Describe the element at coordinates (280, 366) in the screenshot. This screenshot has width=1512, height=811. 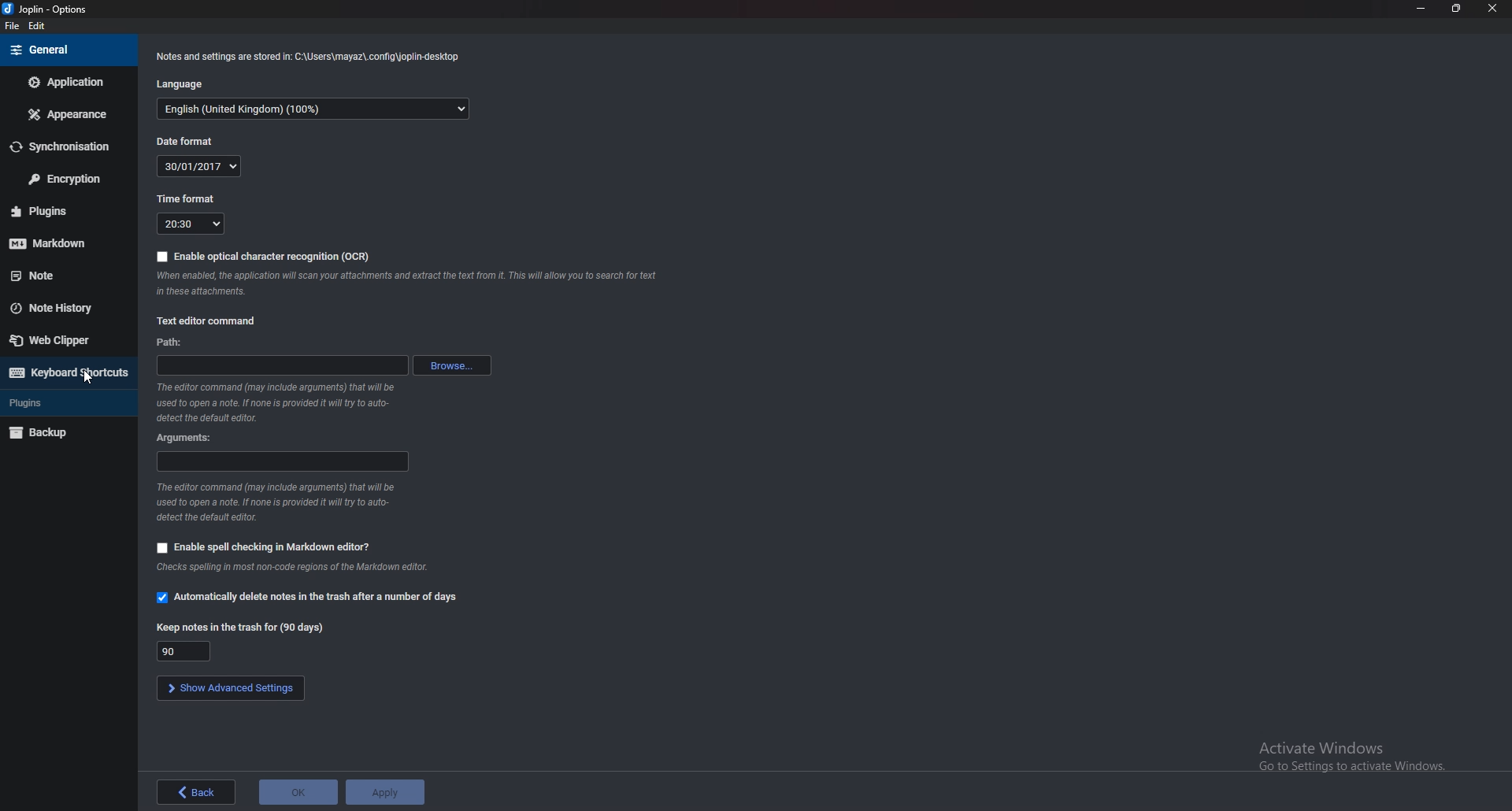
I see `path` at that location.